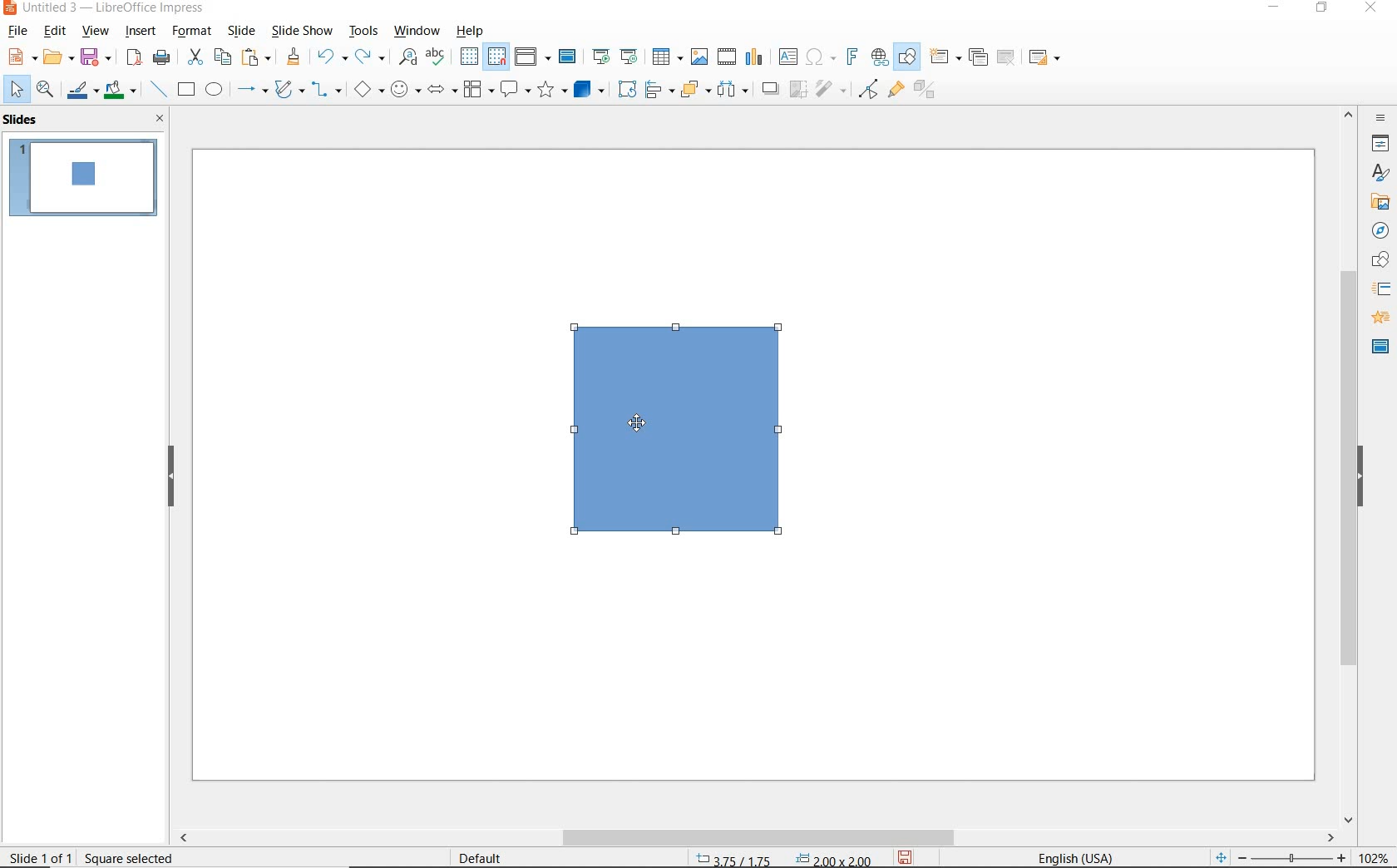 Image resolution: width=1397 pixels, height=868 pixels. What do you see at coordinates (1381, 119) in the screenshot?
I see `sidebar settings` at bounding box center [1381, 119].